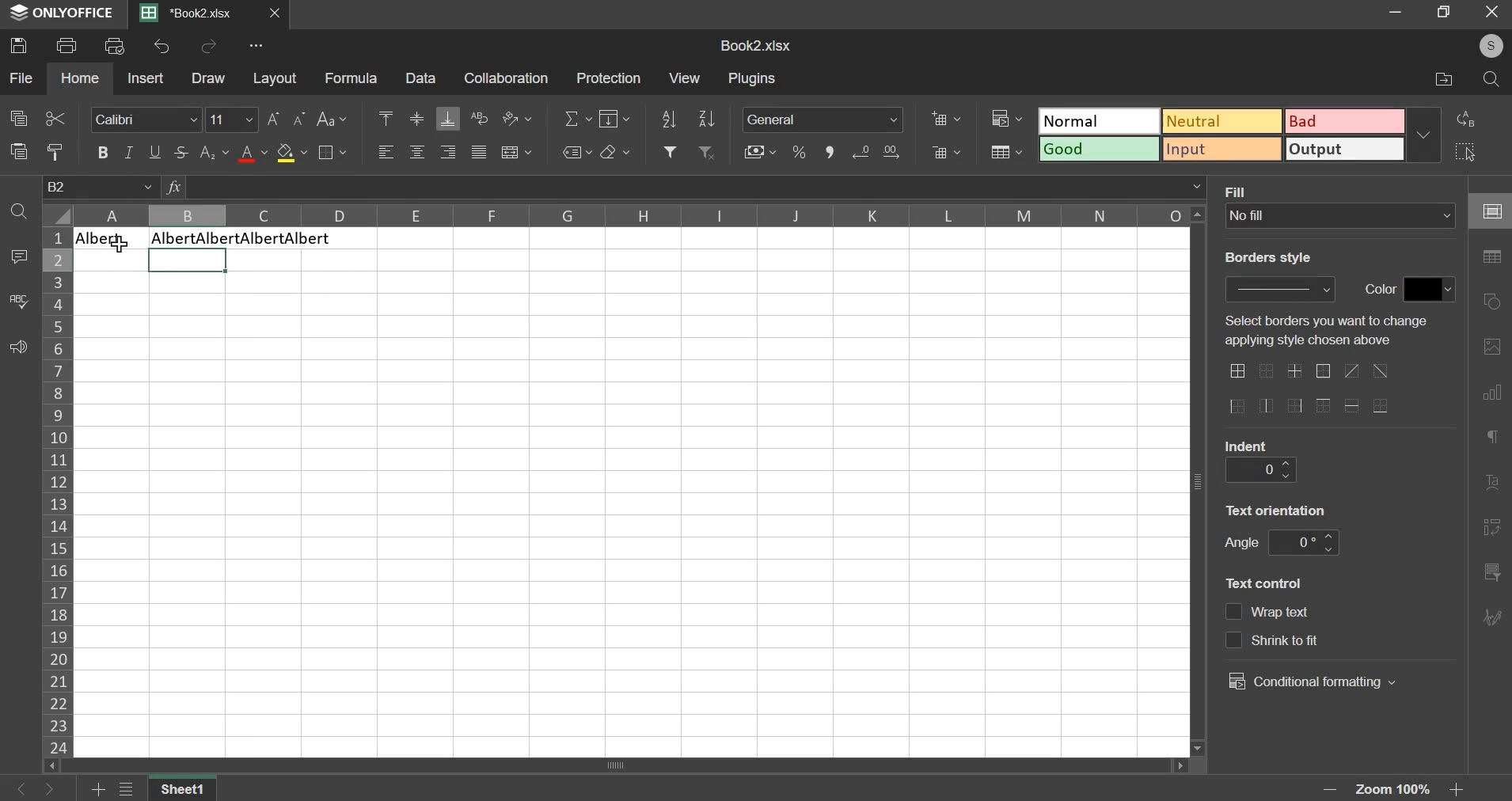 The image size is (1512, 801). I want to click on named ranges, so click(576, 152).